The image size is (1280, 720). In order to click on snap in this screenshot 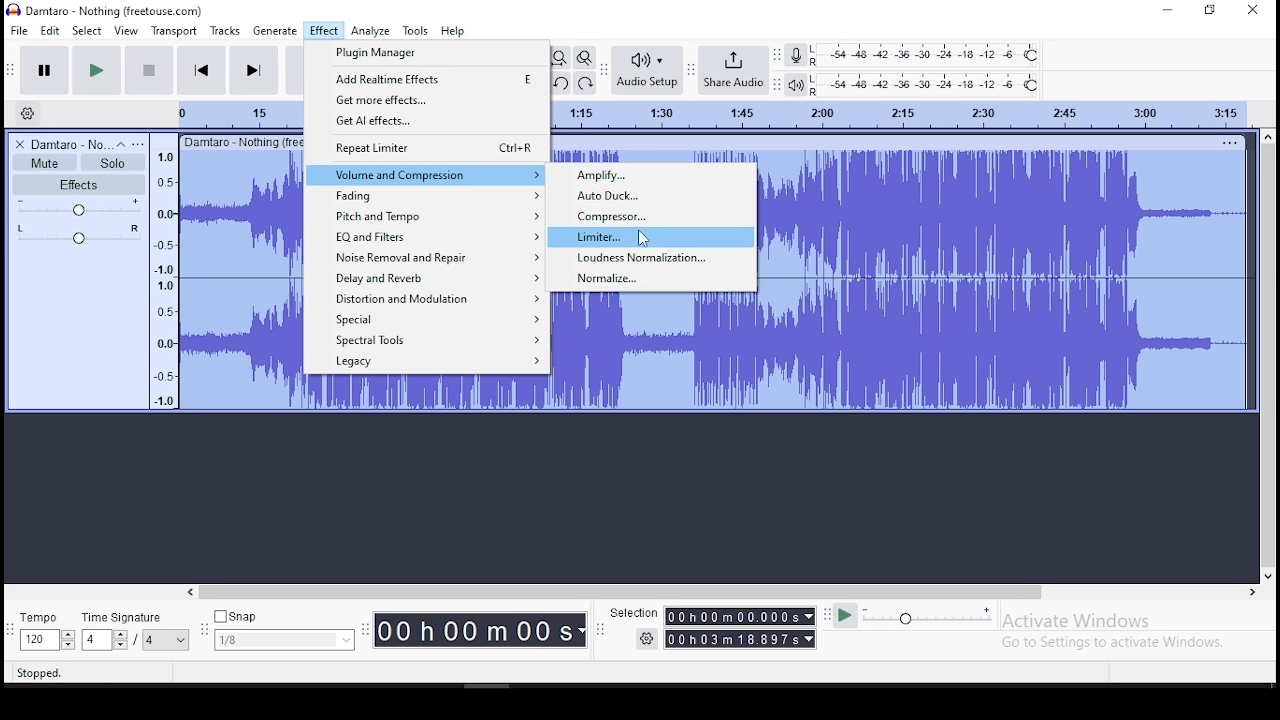, I will do `click(283, 628)`.